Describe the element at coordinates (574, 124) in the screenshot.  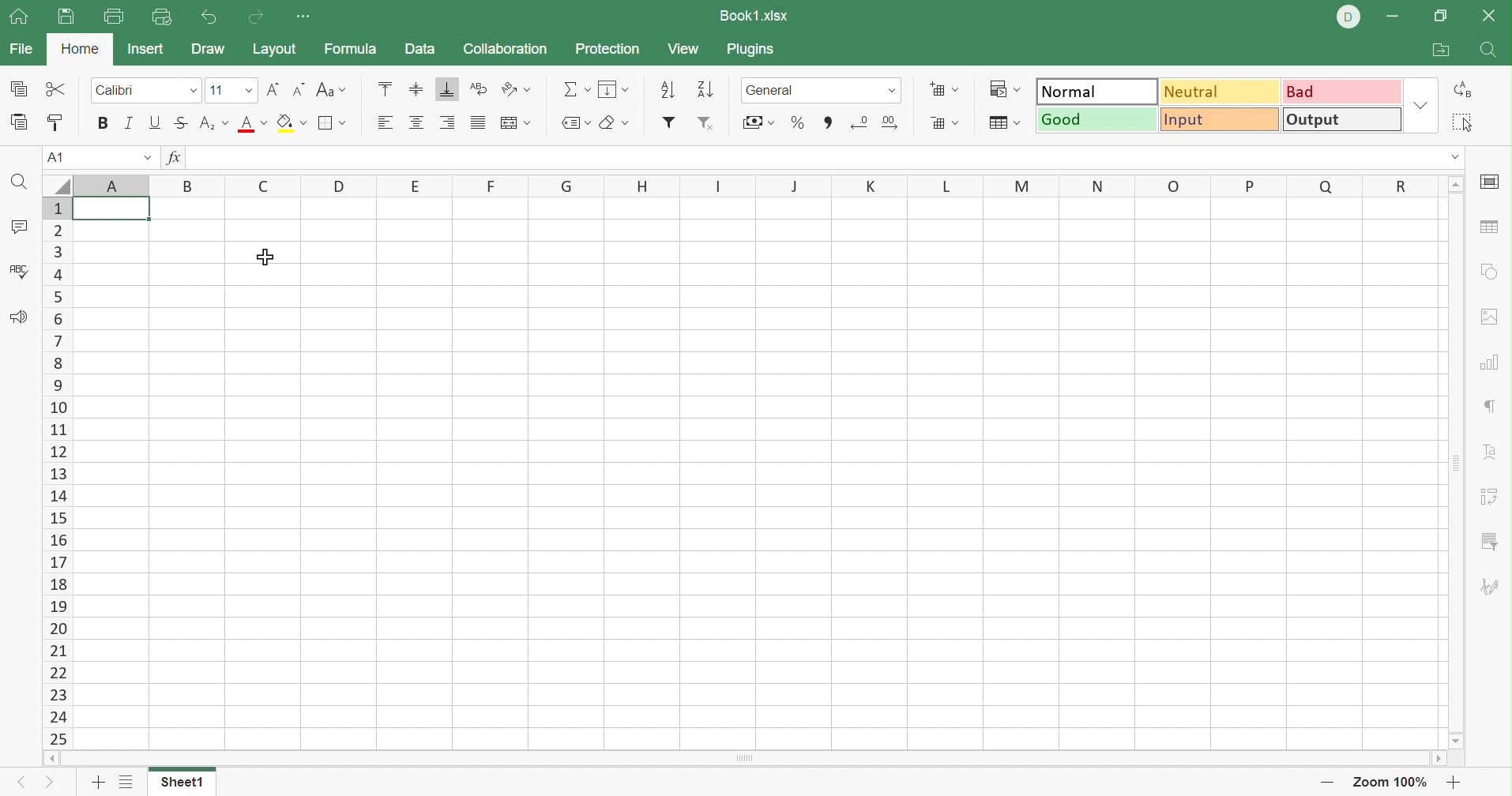
I see `Named ranges` at that location.